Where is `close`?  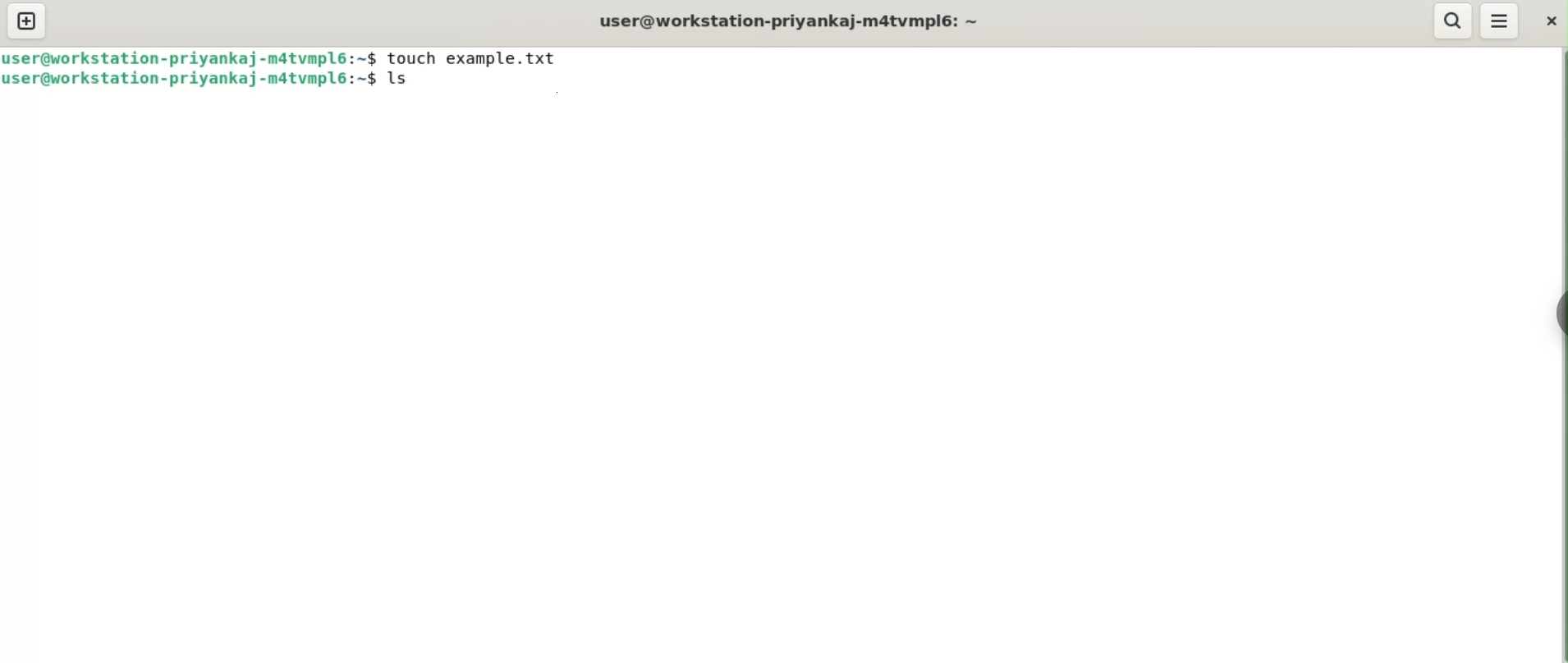
close is located at coordinates (1549, 23).